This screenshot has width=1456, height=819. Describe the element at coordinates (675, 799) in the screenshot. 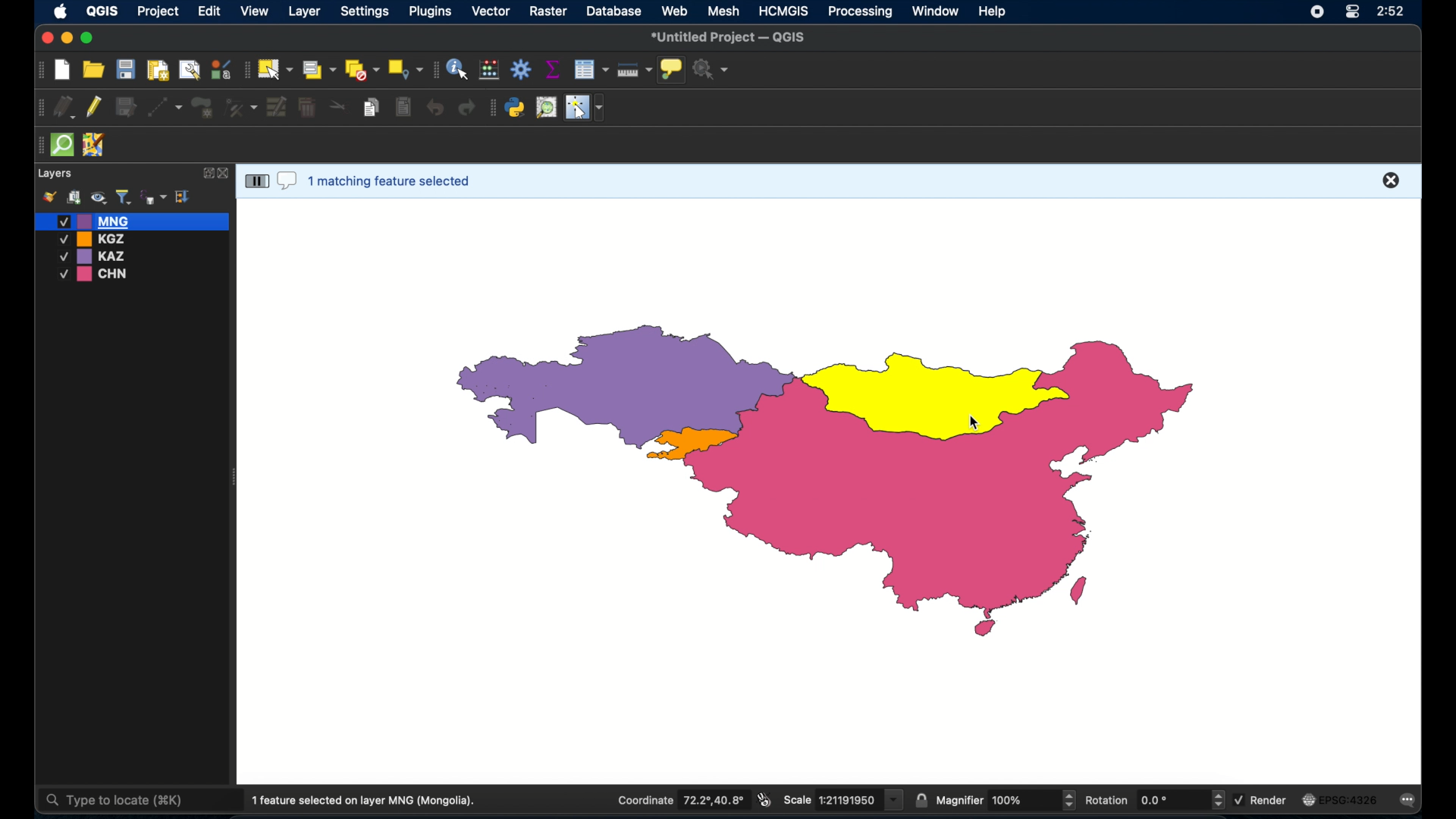

I see `Coordinate  72.2°,40.8°` at that location.